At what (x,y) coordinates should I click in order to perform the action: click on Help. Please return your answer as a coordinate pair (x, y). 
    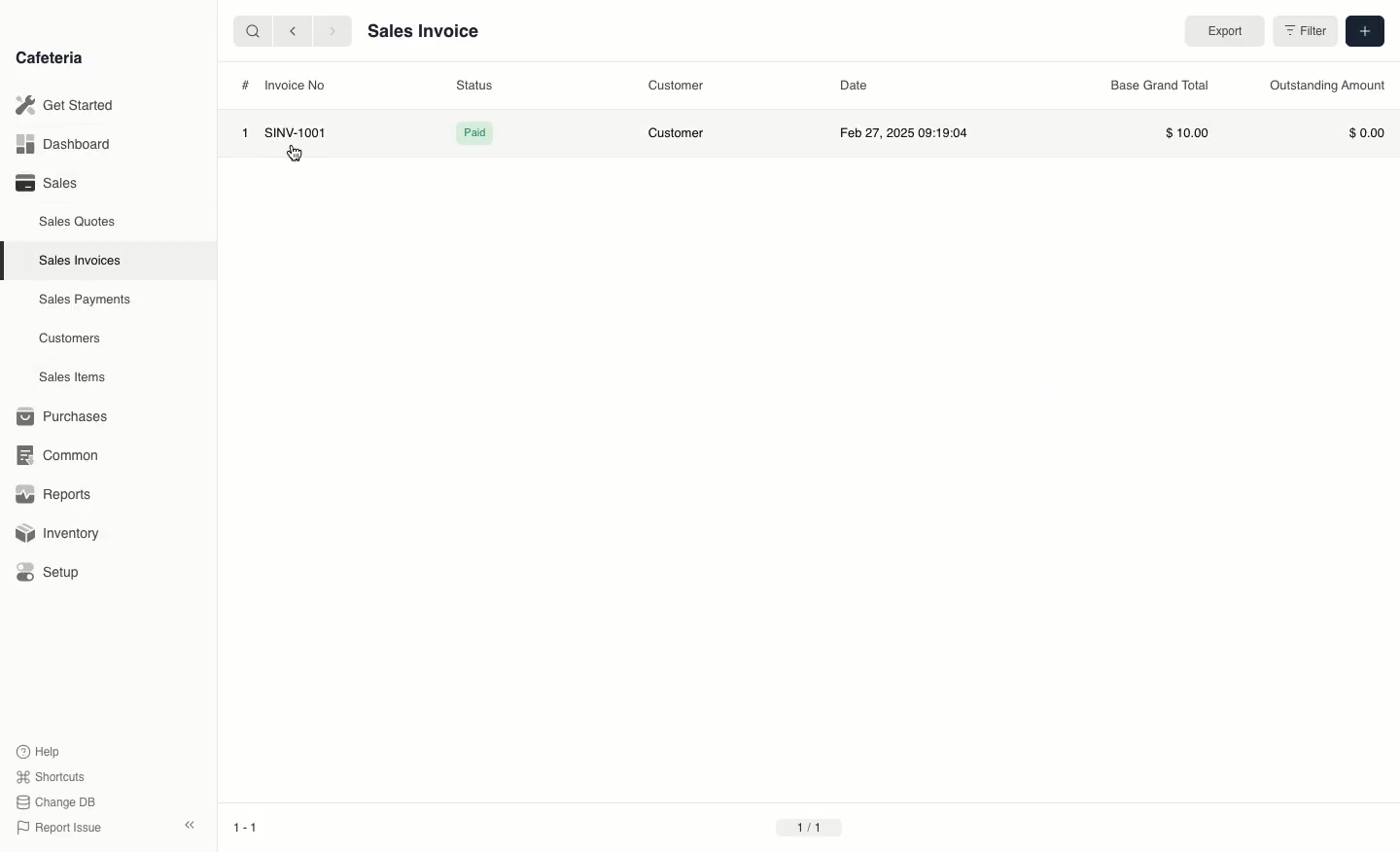
    Looking at the image, I should click on (40, 749).